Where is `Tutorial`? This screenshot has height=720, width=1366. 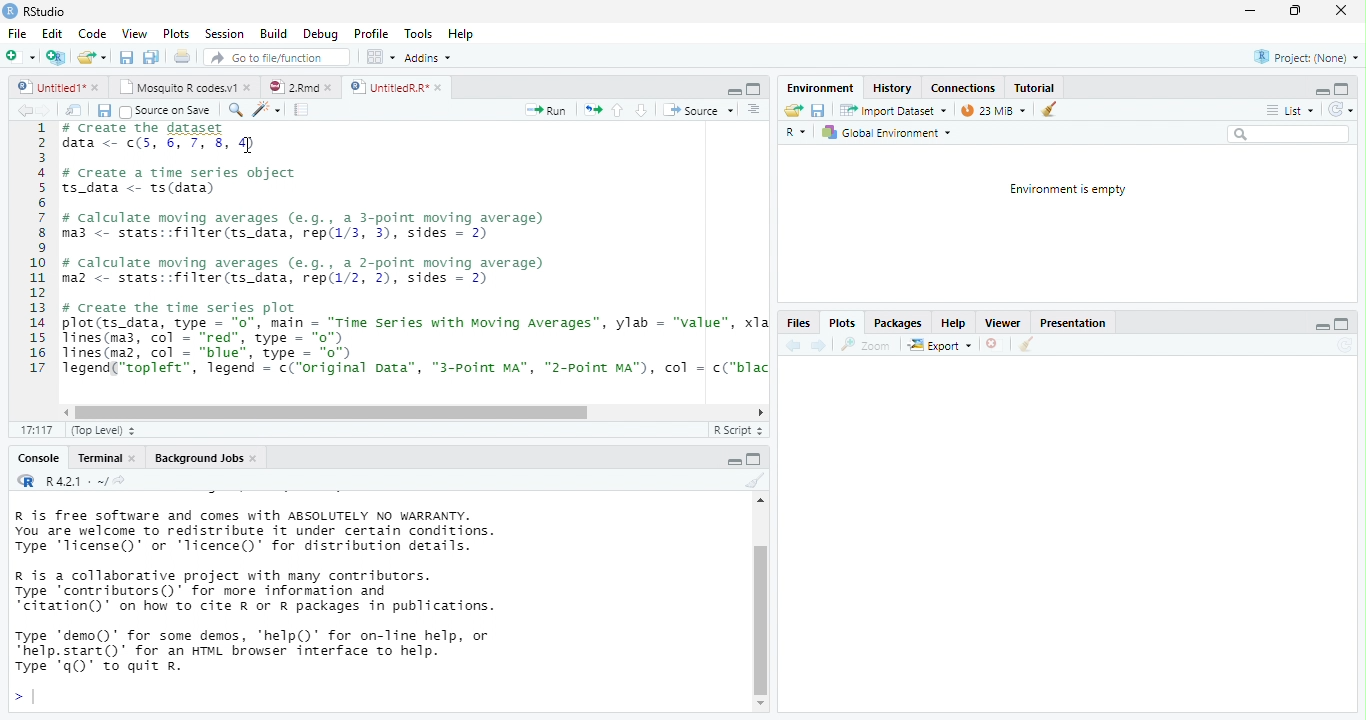 Tutorial is located at coordinates (1035, 87).